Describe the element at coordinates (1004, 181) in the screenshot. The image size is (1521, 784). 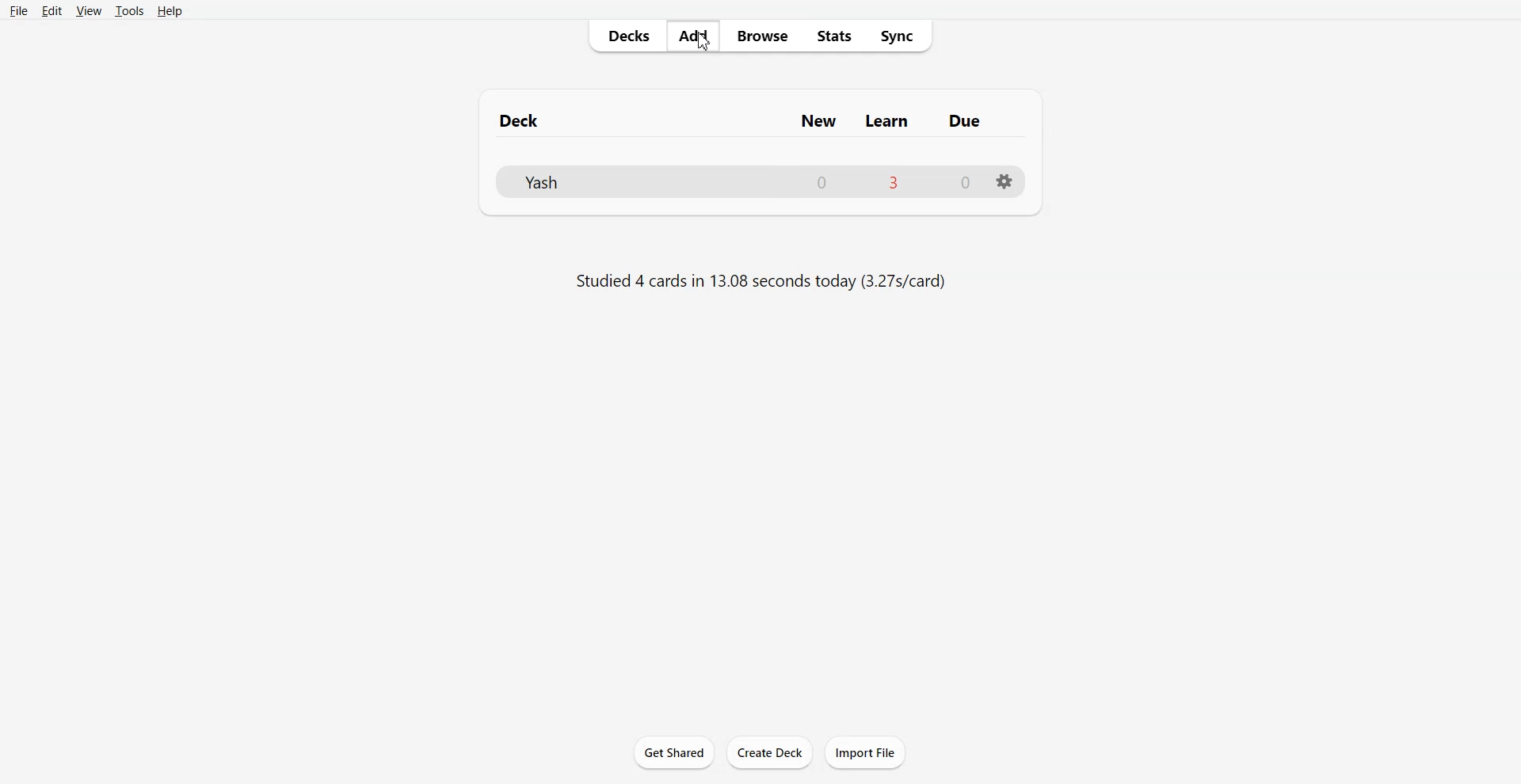
I see `Settings` at that location.